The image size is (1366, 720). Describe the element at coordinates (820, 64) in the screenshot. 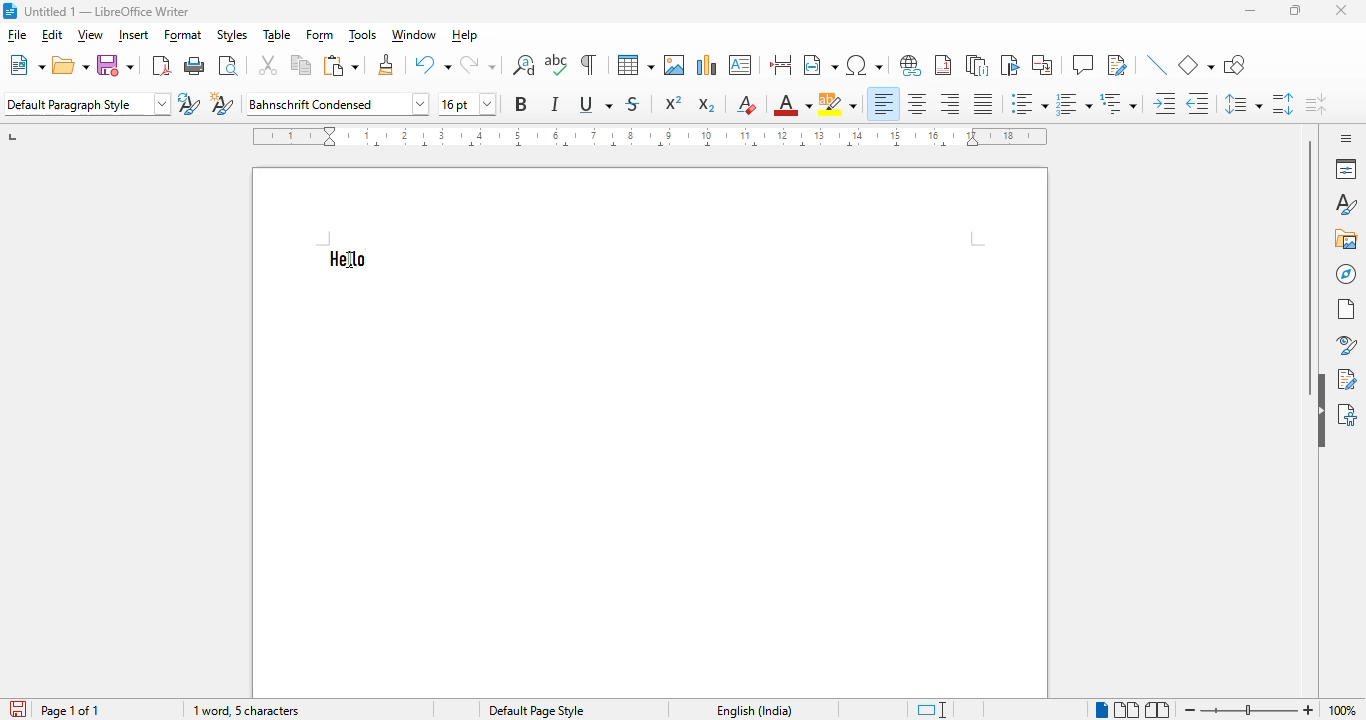

I see `insert text field` at that location.